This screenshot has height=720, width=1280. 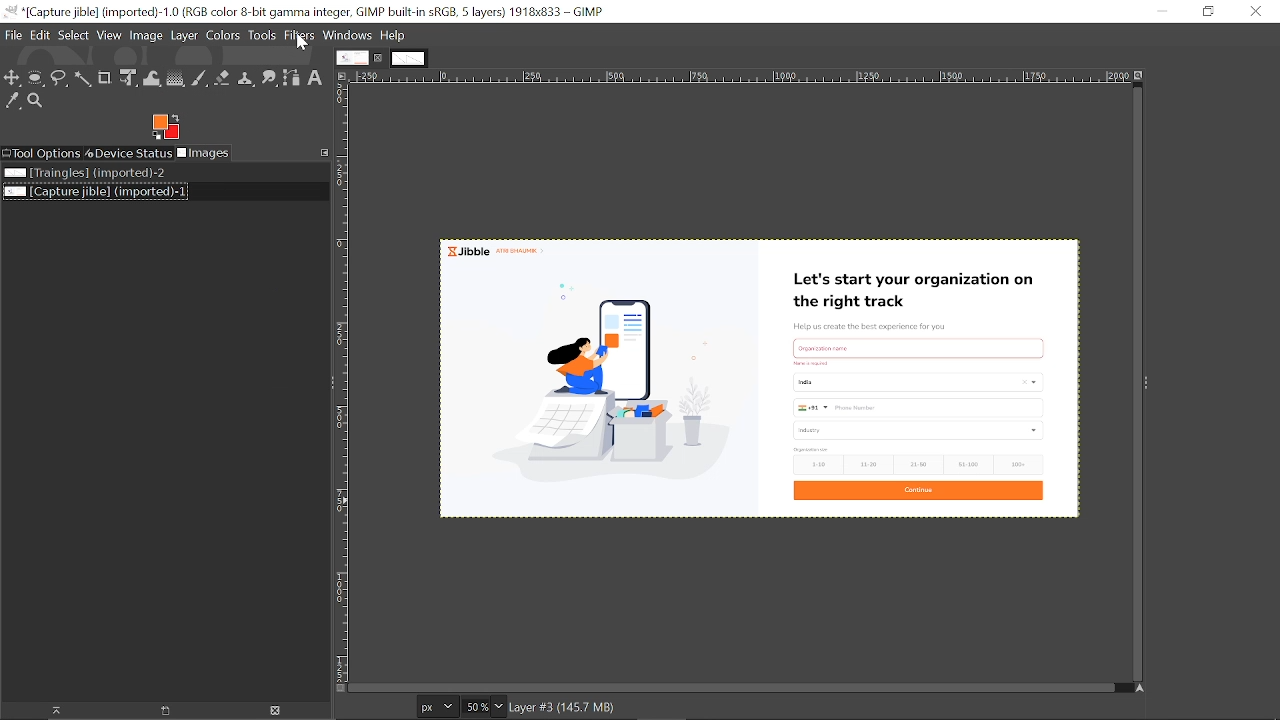 What do you see at coordinates (1140, 691) in the screenshot?
I see `Navigate the image display` at bounding box center [1140, 691].